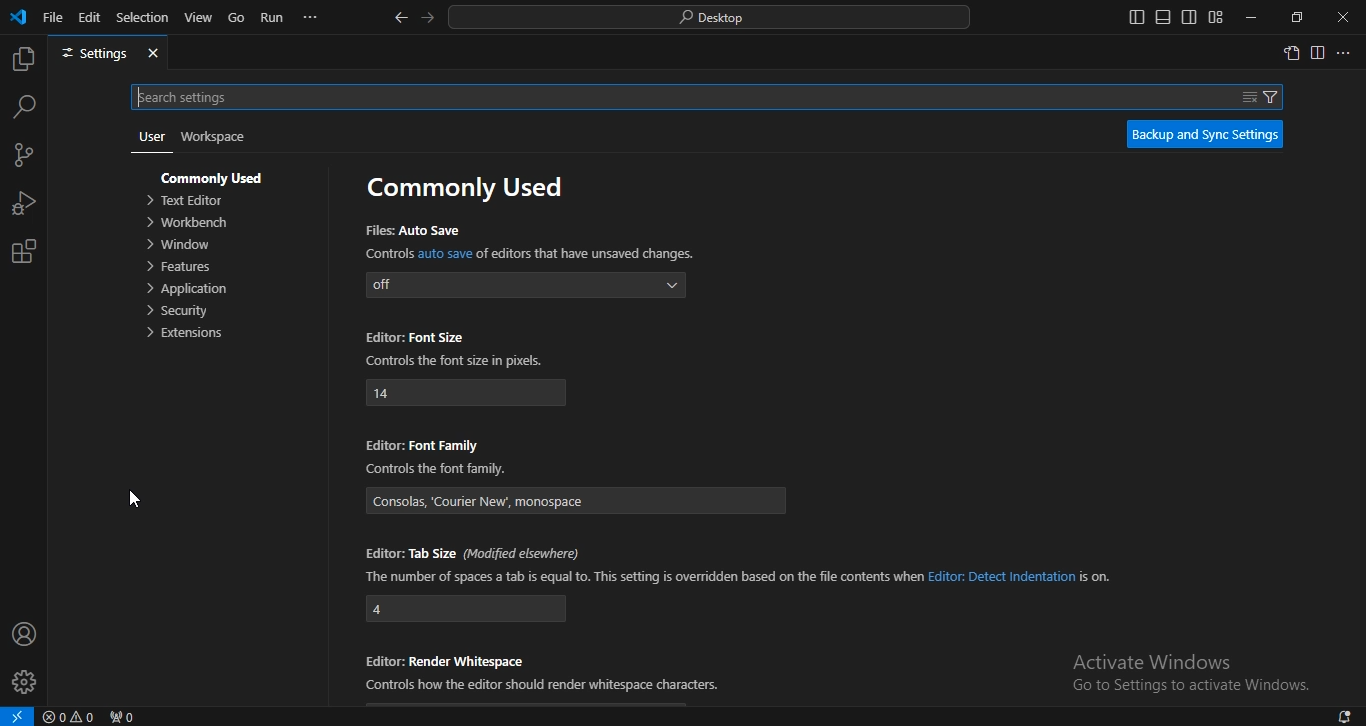  What do you see at coordinates (273, 18) in the screenshot?
I see `run` at bounding box center [273, 18].